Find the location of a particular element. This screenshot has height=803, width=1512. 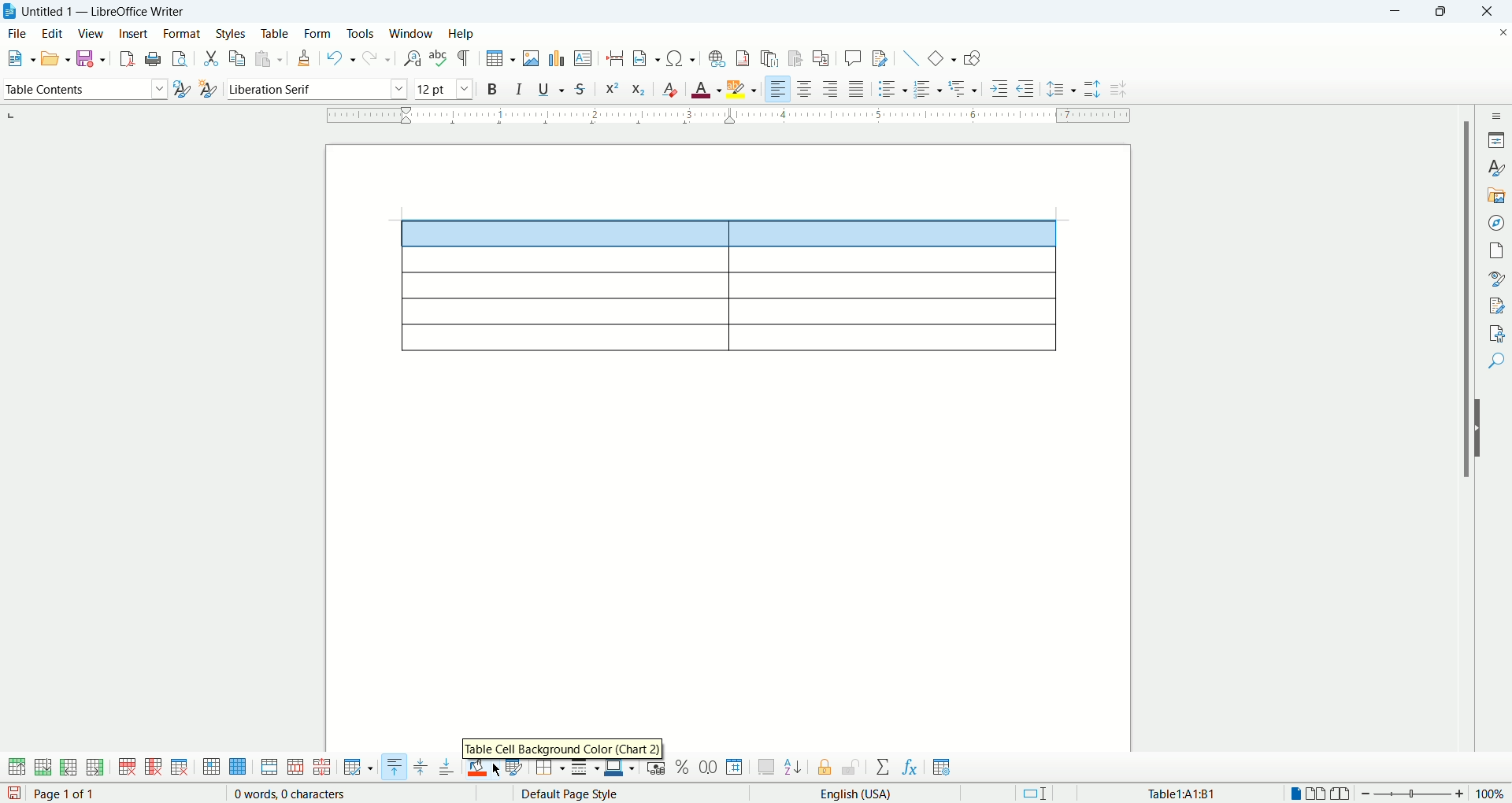

vertical scroll bar is located at coordinates (1462, 442).